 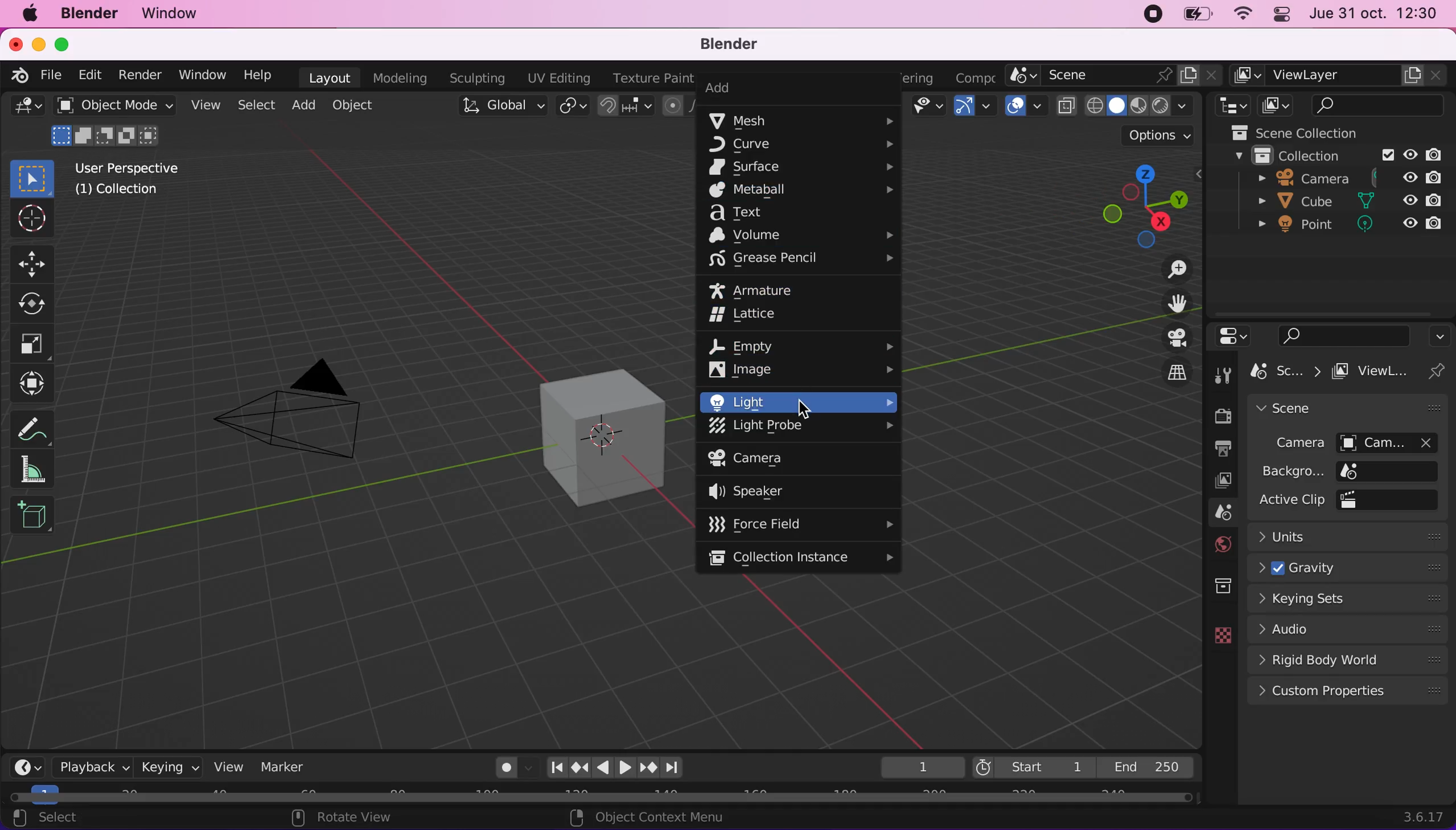 What do you see at coordinates (1277, 105) in the screenshot?
I see `display view` at bounding box center [1277, 105].